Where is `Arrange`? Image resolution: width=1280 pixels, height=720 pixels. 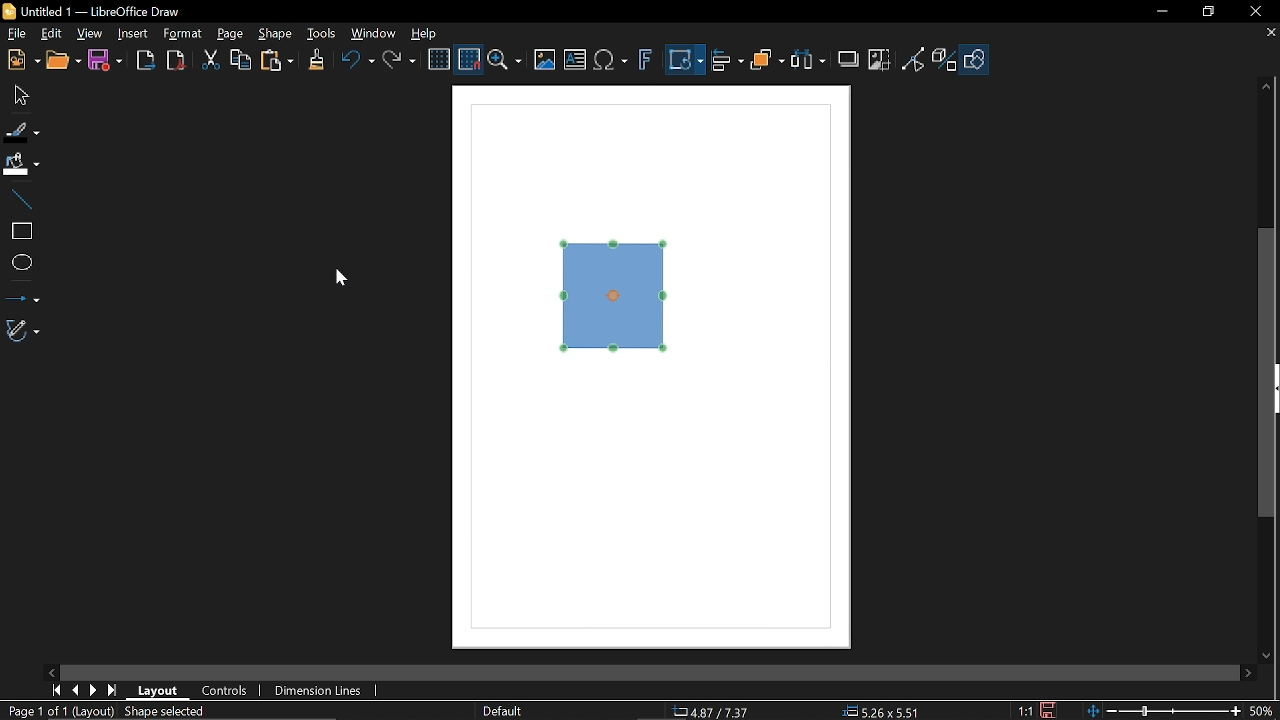 Arrange is located at coordinates (767, 62).